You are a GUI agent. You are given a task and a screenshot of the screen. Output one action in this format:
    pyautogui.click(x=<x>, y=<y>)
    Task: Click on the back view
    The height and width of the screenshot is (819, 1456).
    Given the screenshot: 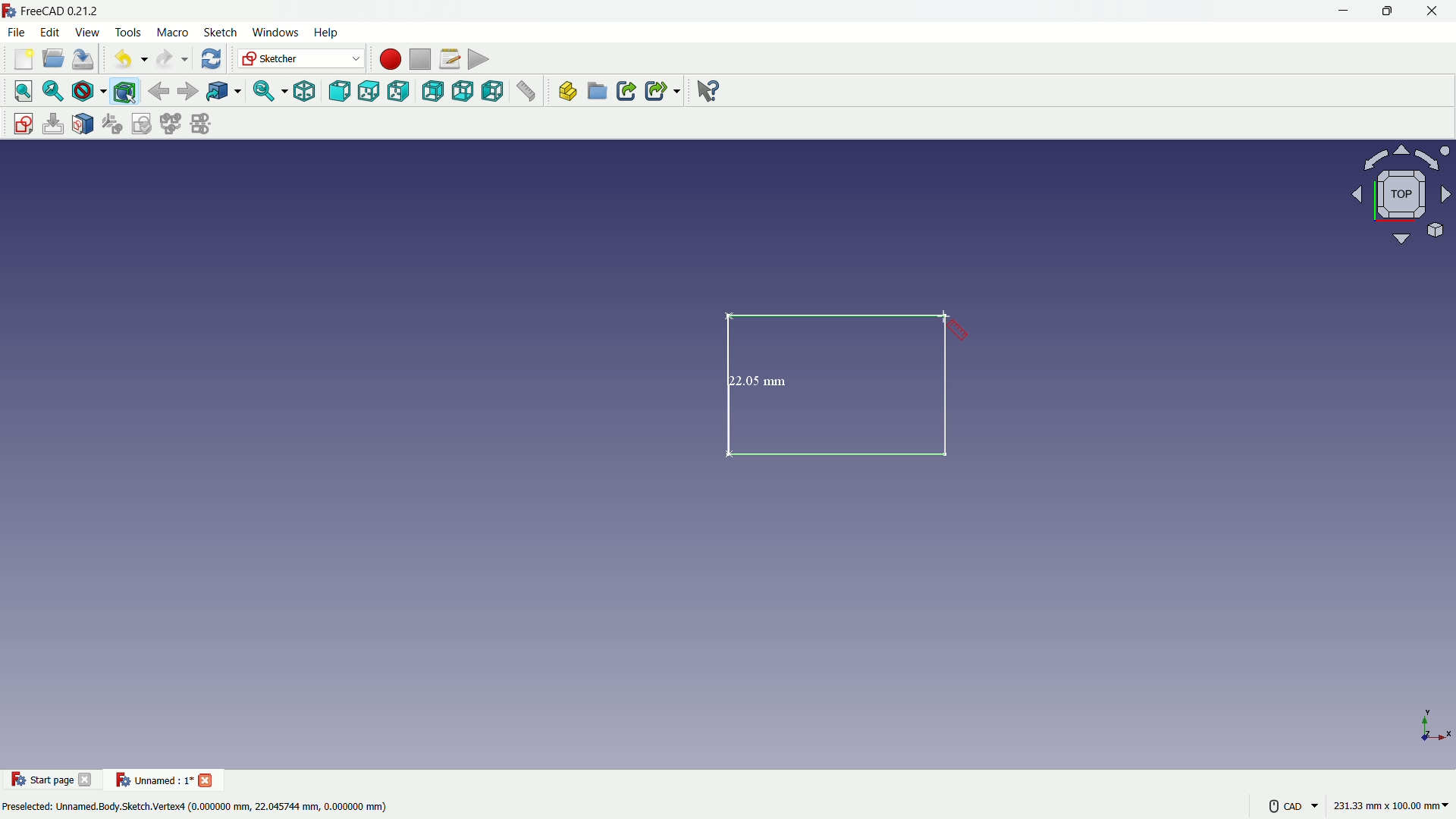 What is the action you would take?
    pyautogui.click(x=432, y=91)
    